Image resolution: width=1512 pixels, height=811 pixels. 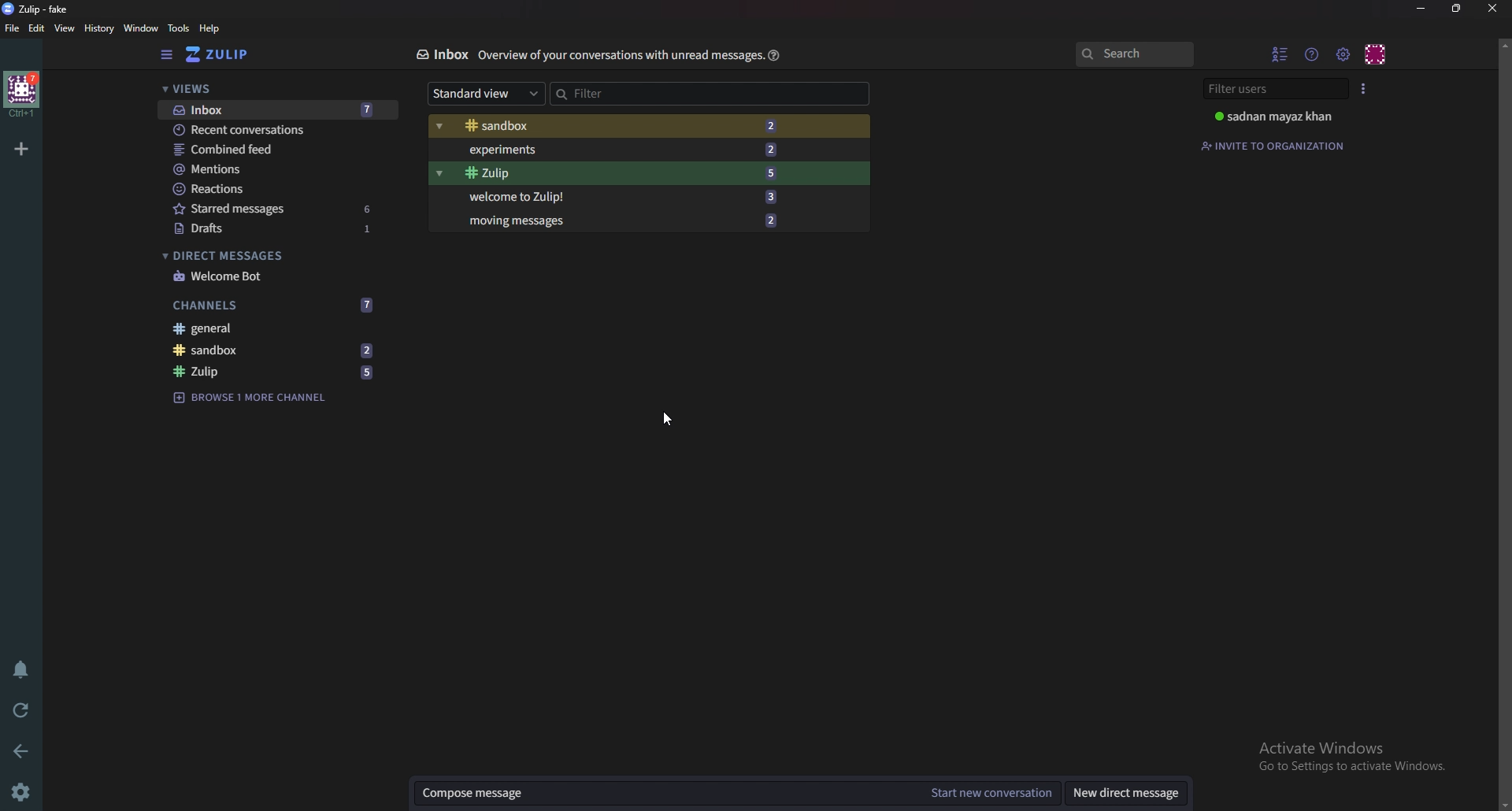 I want to click on Filter users, so click(x=1271, y=88).